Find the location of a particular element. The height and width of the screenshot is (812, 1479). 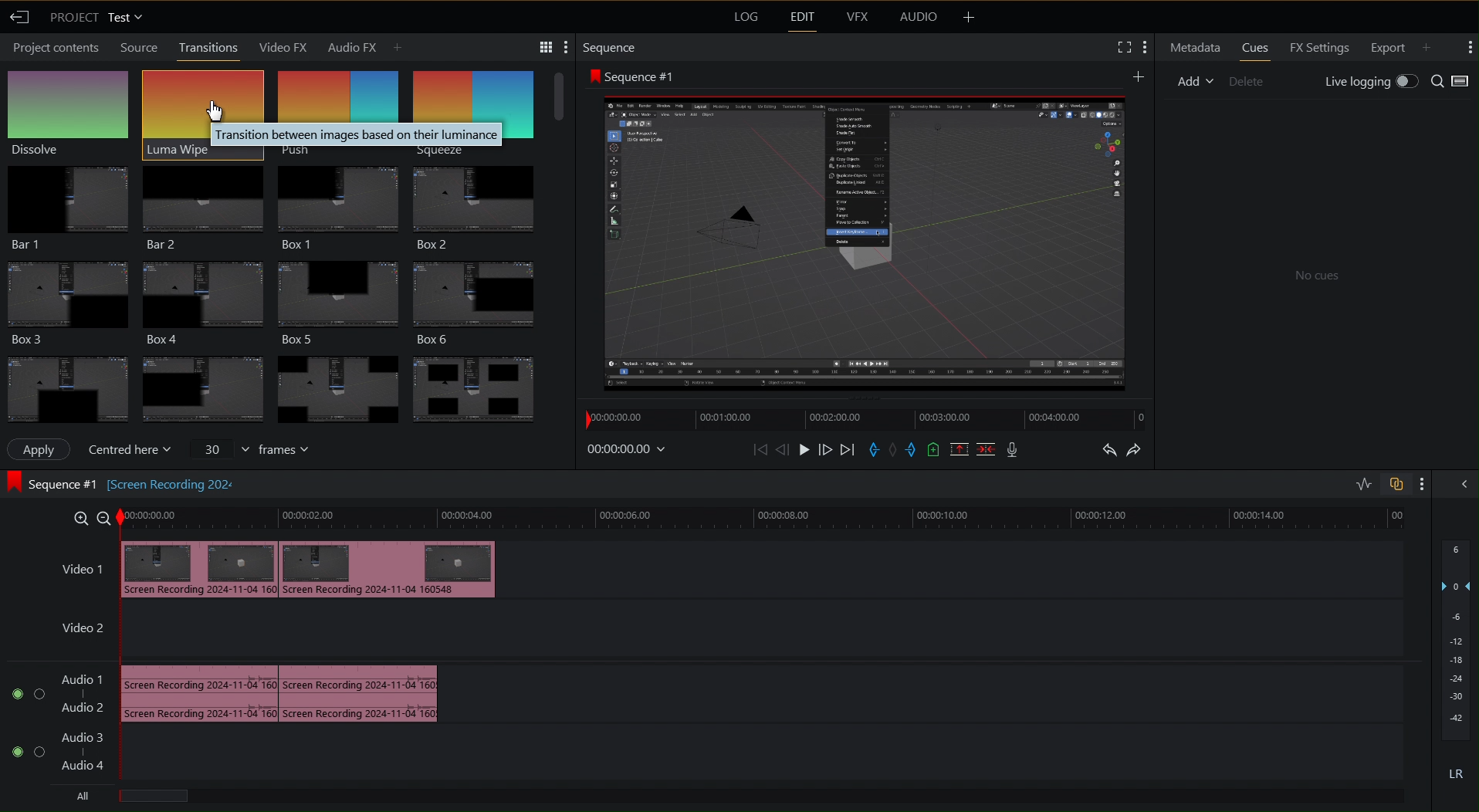

Back is located at coordinates (22, 18).